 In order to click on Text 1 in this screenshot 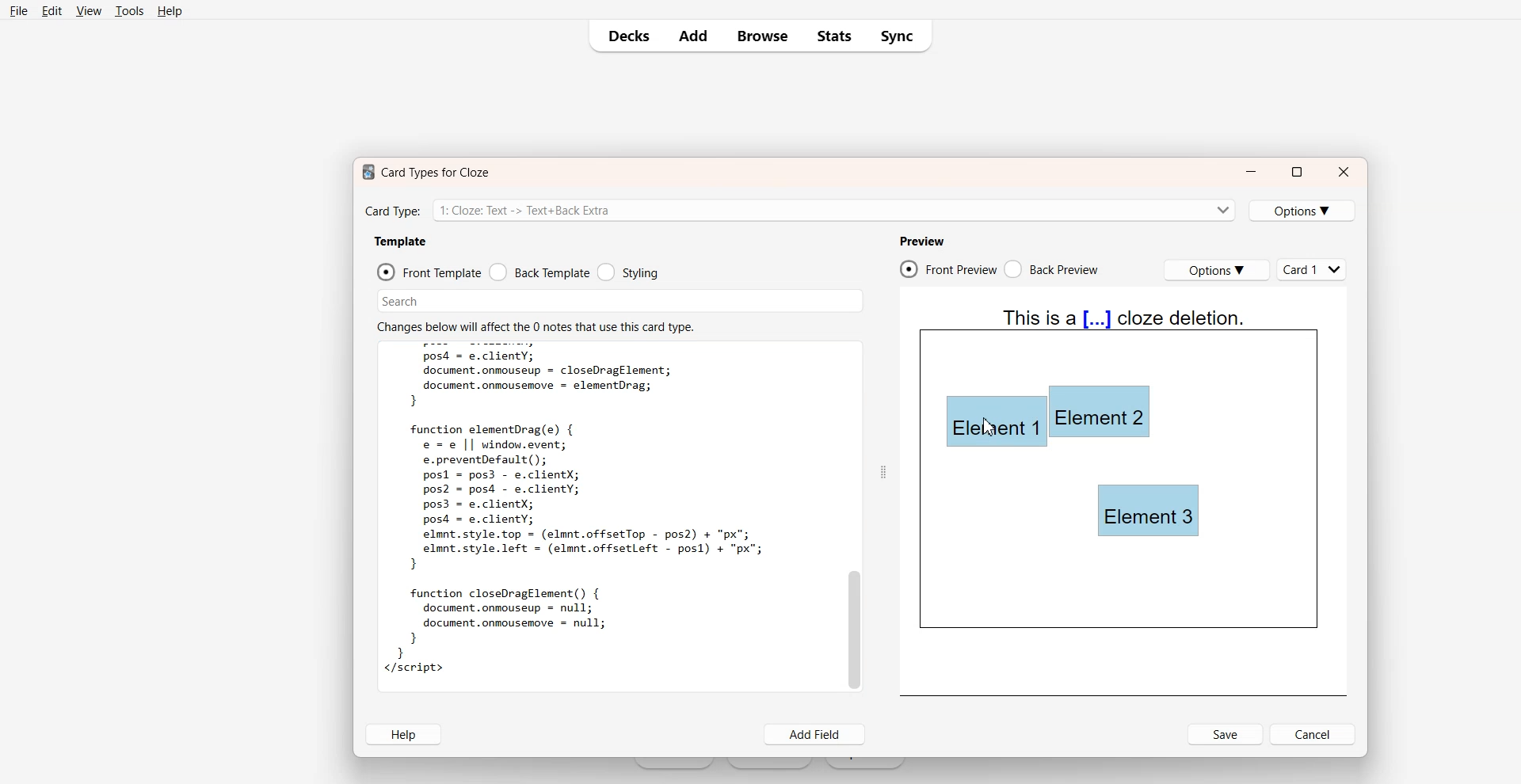, I will do `click(422, 172)`.